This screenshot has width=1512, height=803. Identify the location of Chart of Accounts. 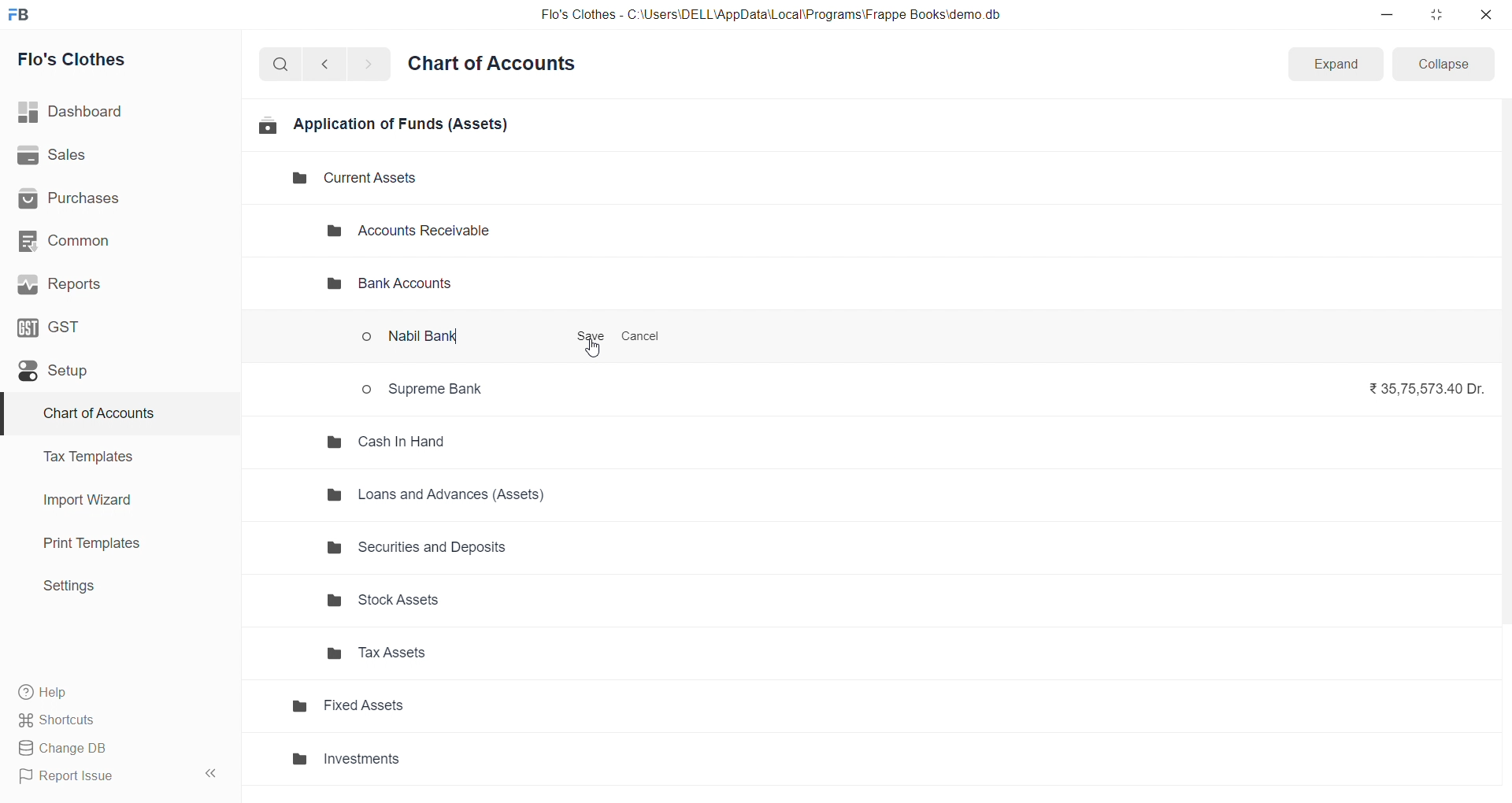
(496, 65).